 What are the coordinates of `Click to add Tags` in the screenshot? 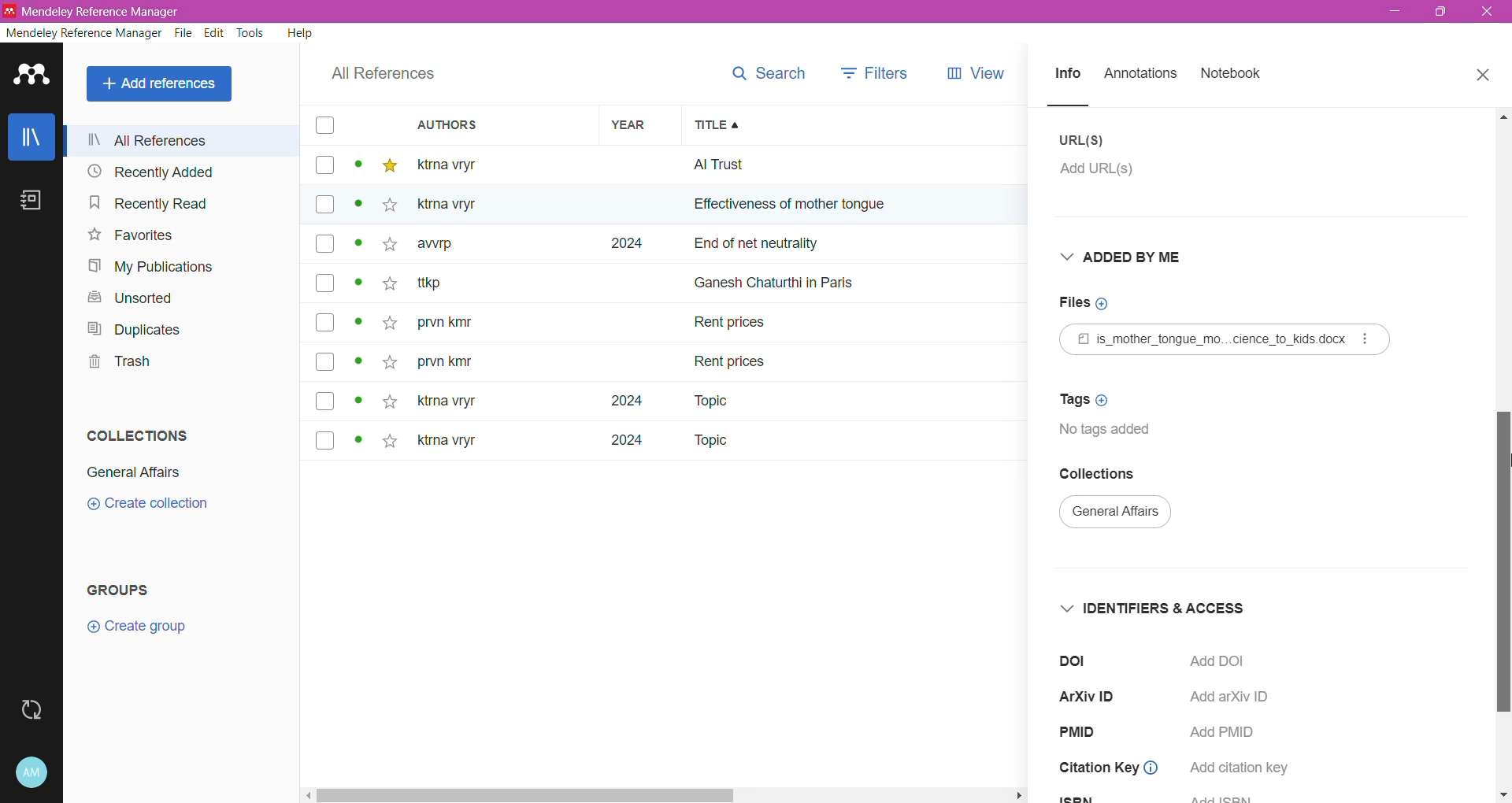 It's located at (1080, 399).